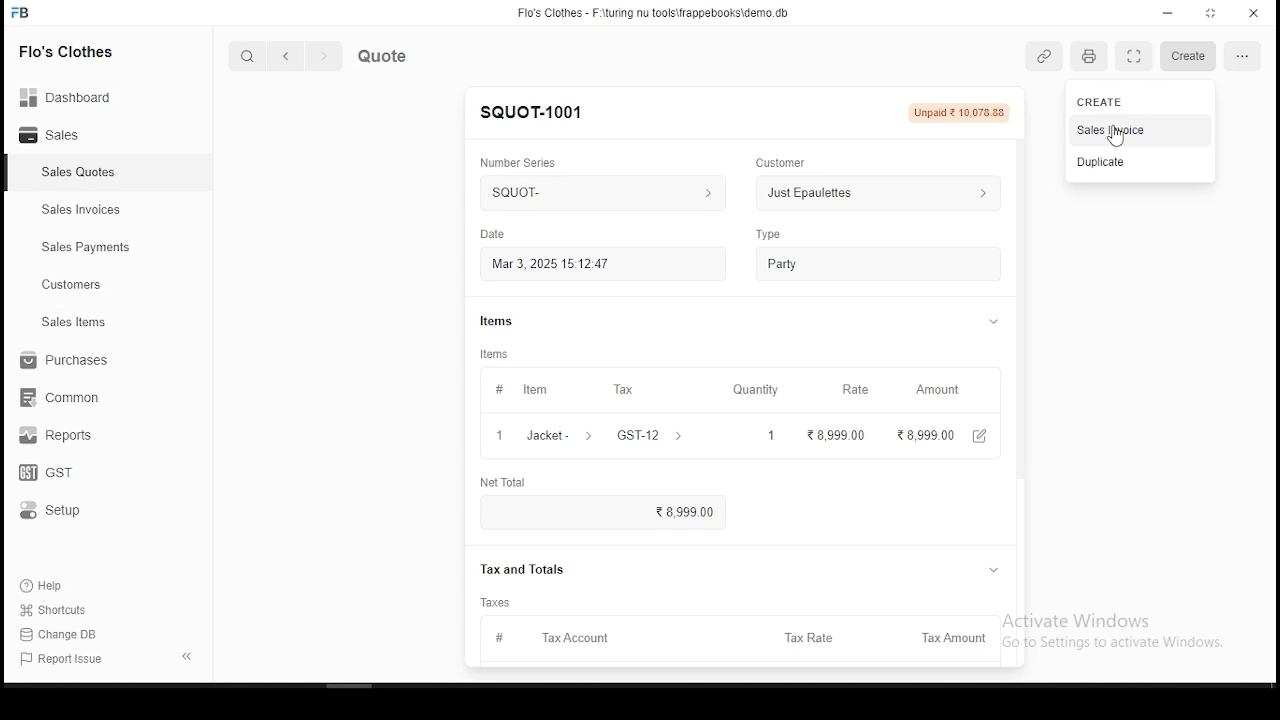 The height and width of the screenshot is (720, 1280). Describe the element at coordinates (81, 247) in the screenshot. I see `sales payment` at that location.